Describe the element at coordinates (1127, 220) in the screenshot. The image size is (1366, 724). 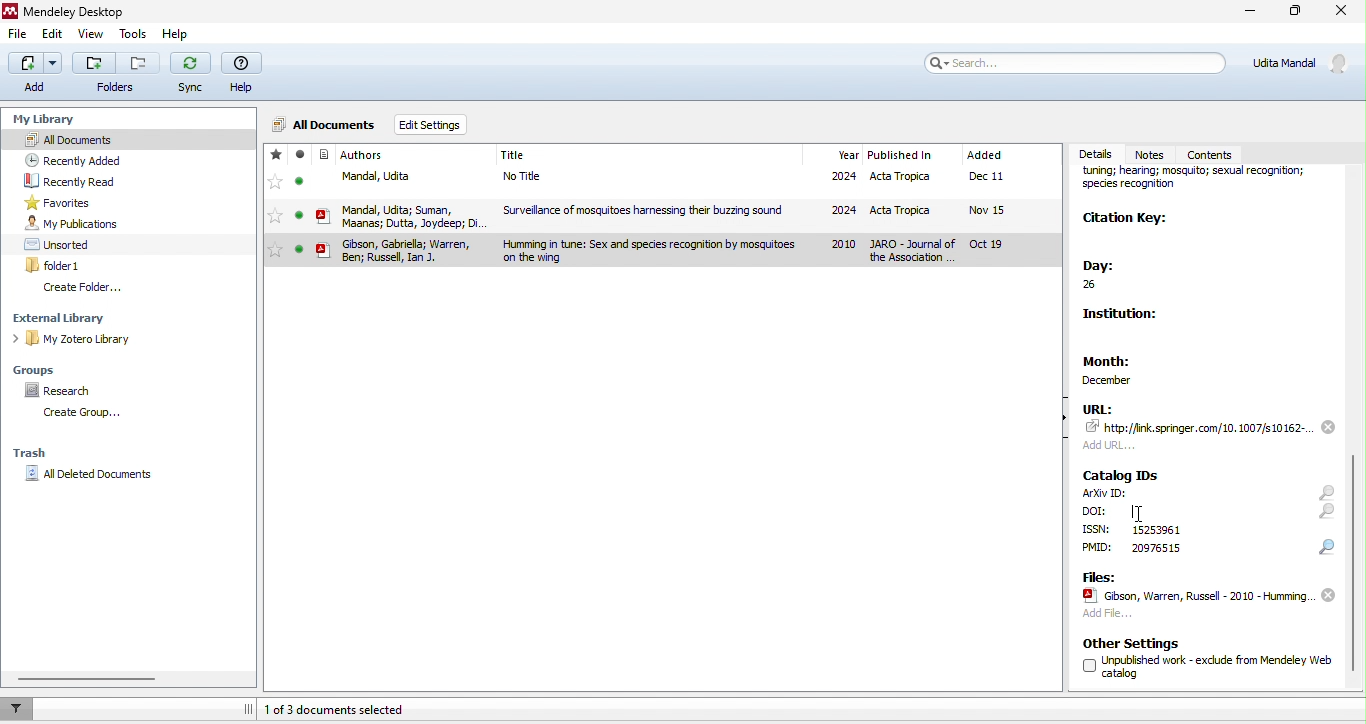
I see `citation key` at that location.